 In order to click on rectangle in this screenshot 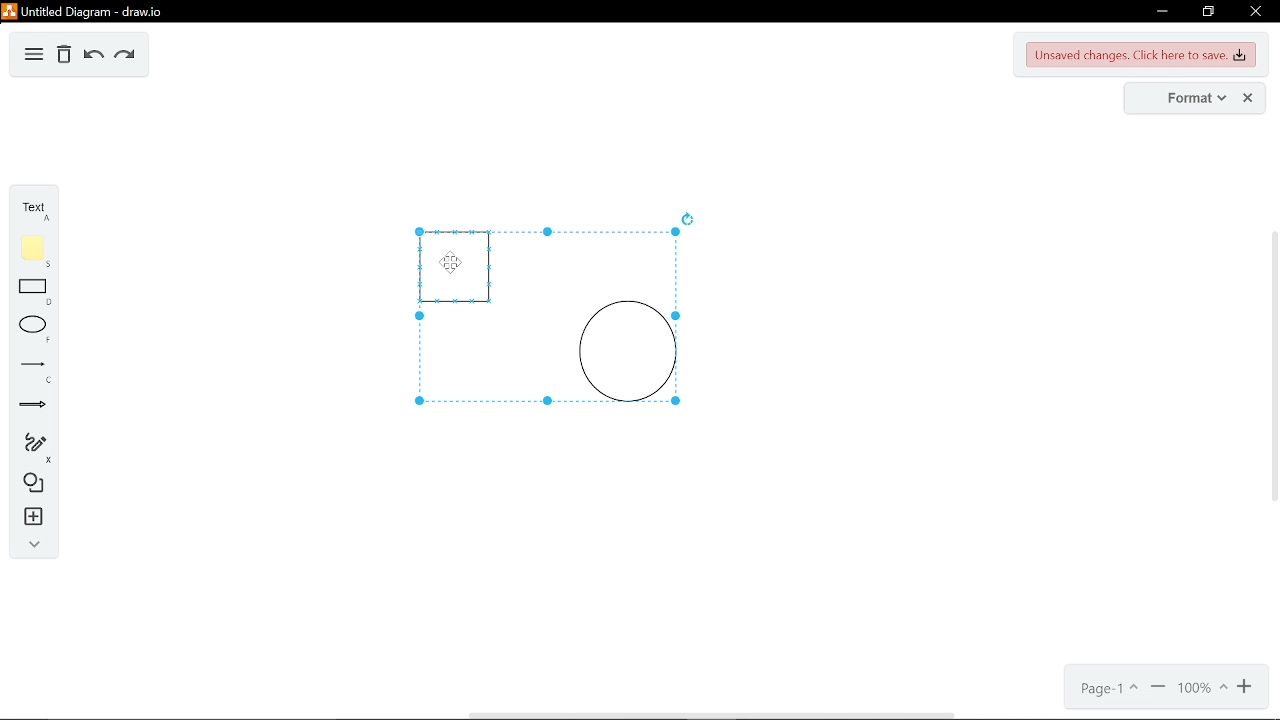, I will do `click(34, 293)`.